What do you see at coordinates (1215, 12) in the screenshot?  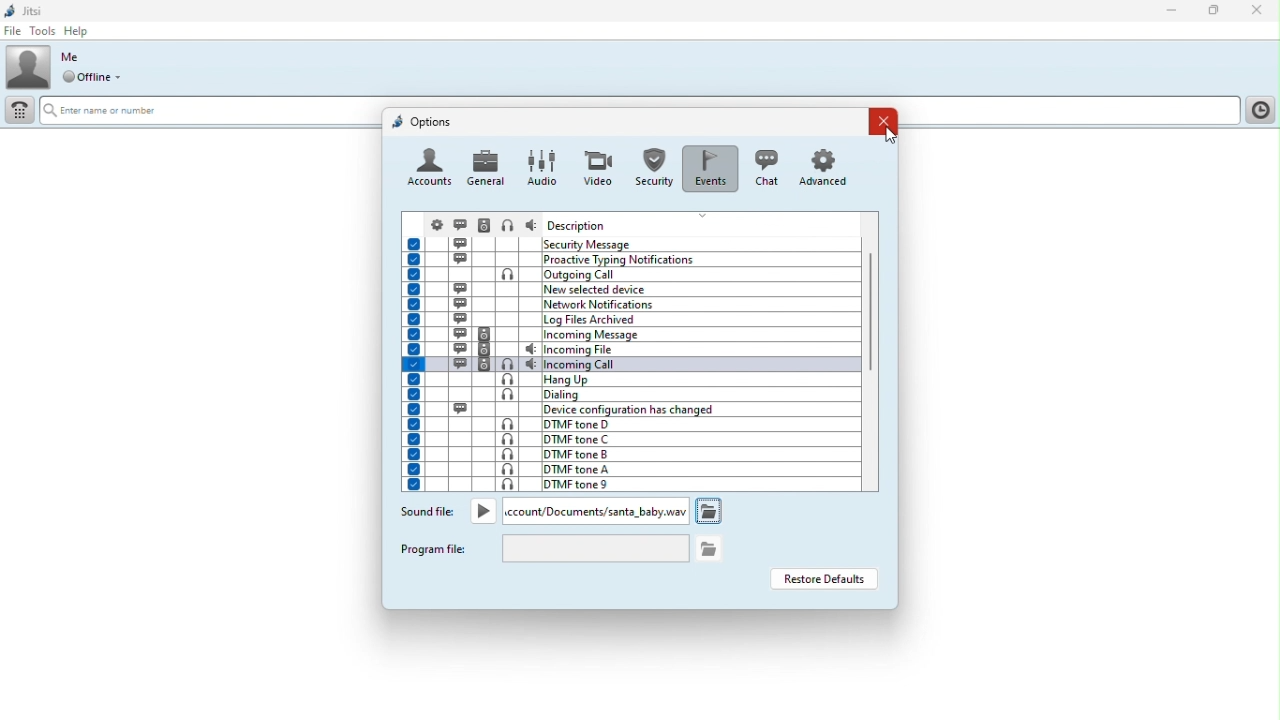 I see `Restore` at bounding box center [1215, 12].